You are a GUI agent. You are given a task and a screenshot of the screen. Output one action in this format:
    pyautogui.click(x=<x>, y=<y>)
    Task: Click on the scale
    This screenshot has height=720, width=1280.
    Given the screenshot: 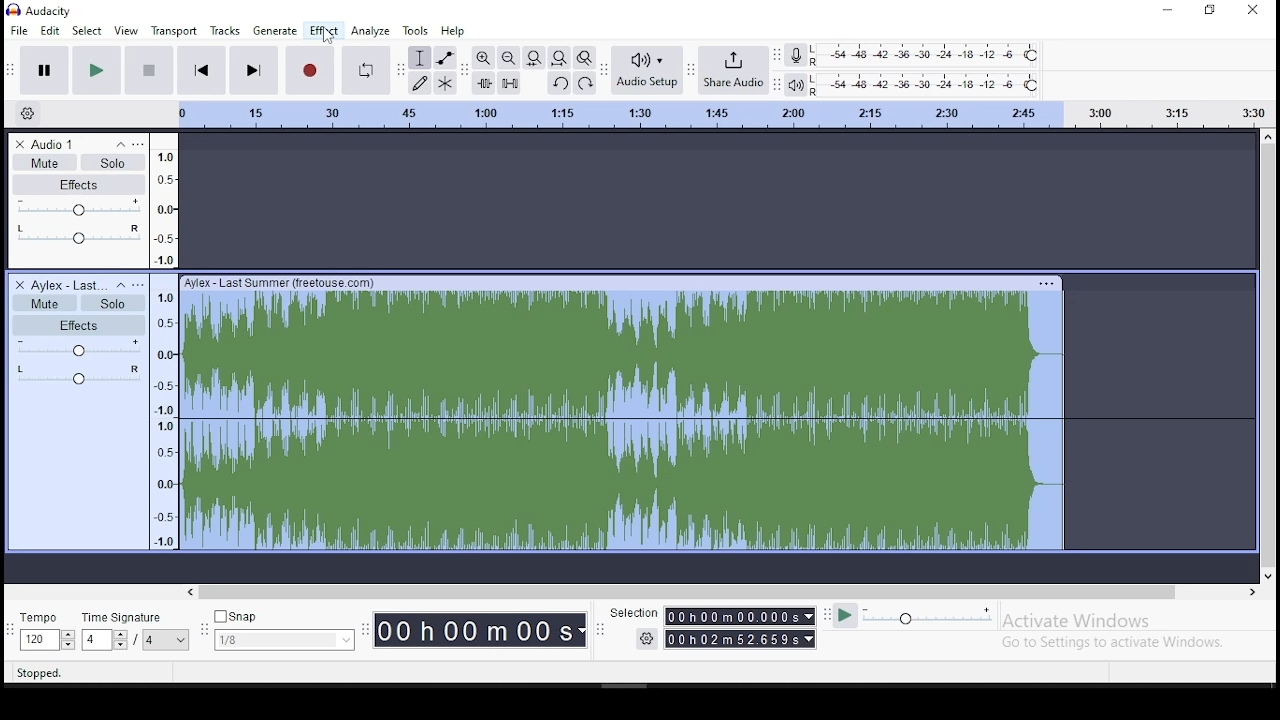 What is the action you would take?
    pyautogui.click(x=164, y=341)
    